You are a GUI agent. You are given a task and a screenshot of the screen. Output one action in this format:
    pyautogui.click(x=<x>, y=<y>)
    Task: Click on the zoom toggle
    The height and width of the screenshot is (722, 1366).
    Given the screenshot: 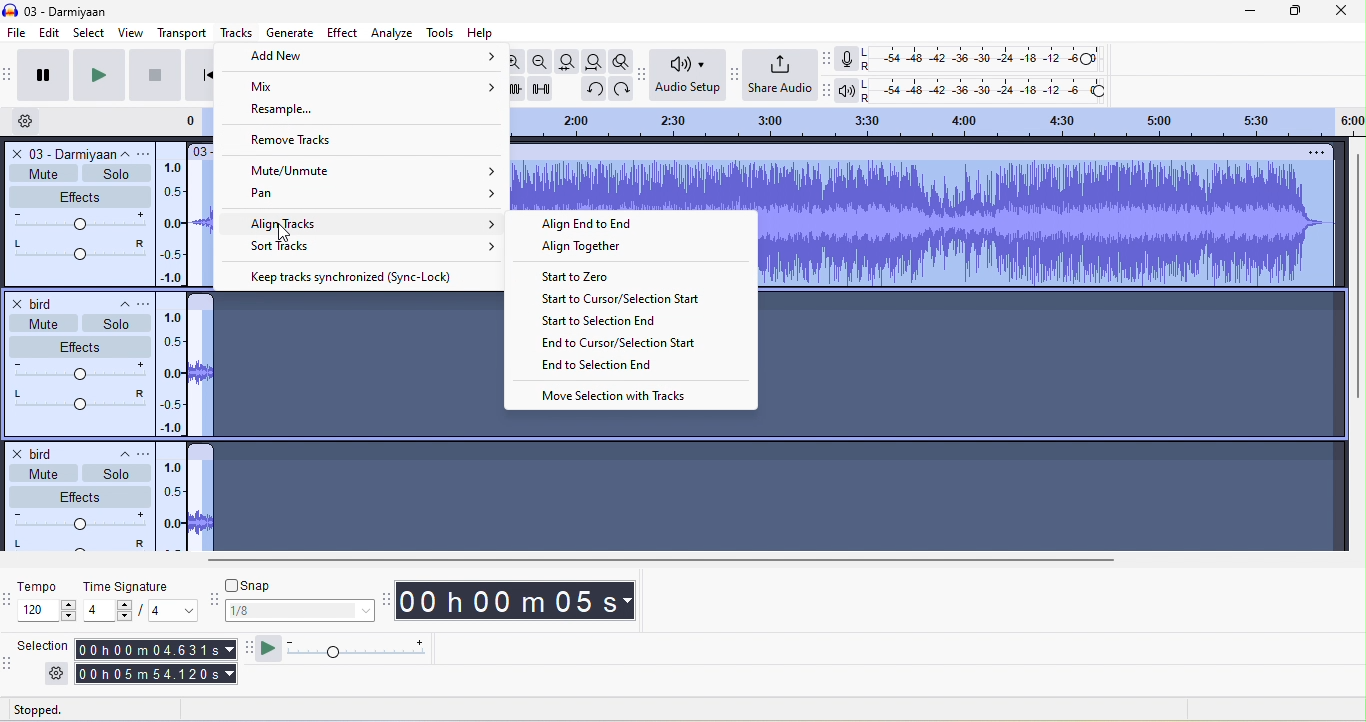 What is the action you would take?
    pyautogui.click(x=617, y=59)
    